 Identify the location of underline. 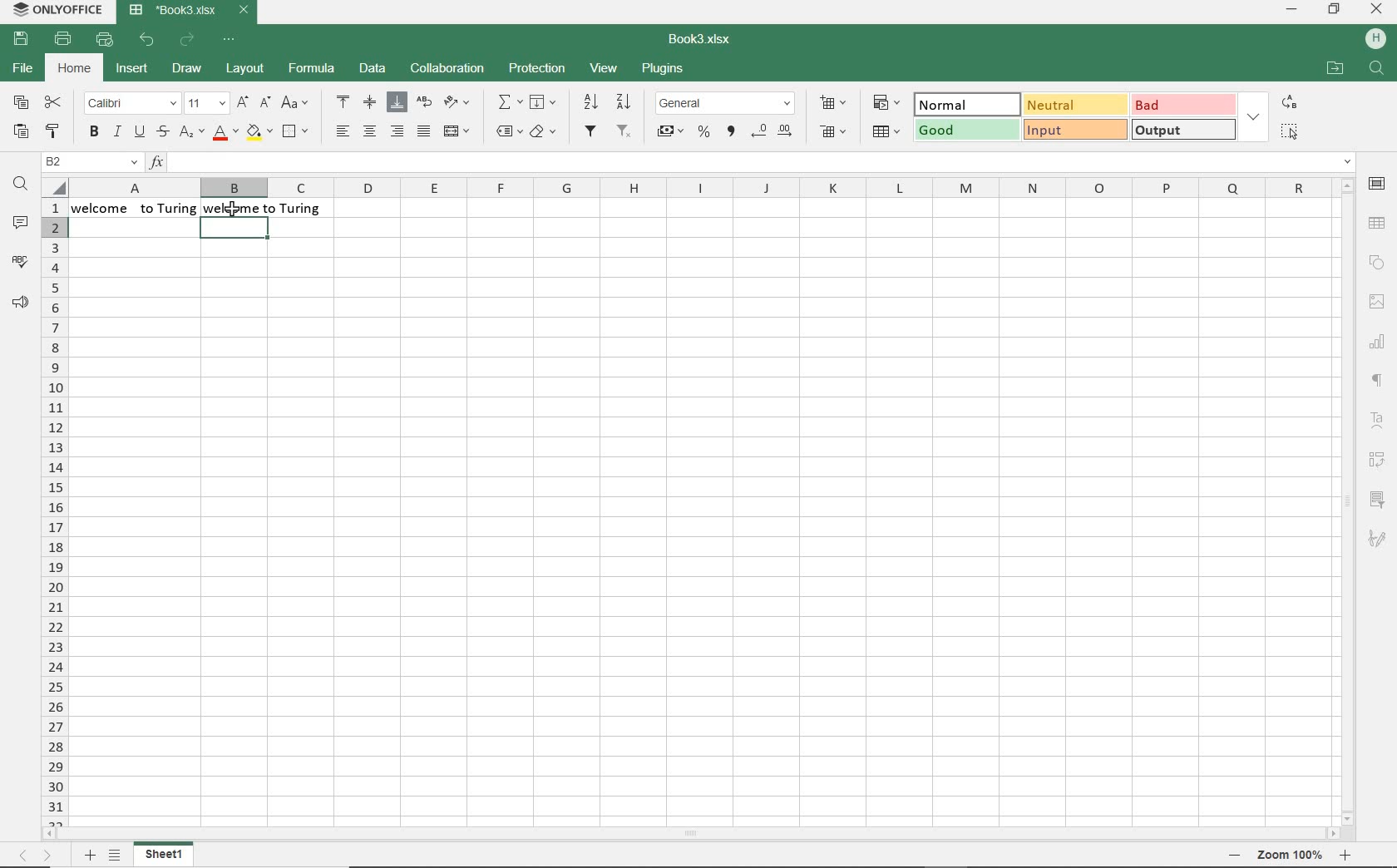
(141, 133).